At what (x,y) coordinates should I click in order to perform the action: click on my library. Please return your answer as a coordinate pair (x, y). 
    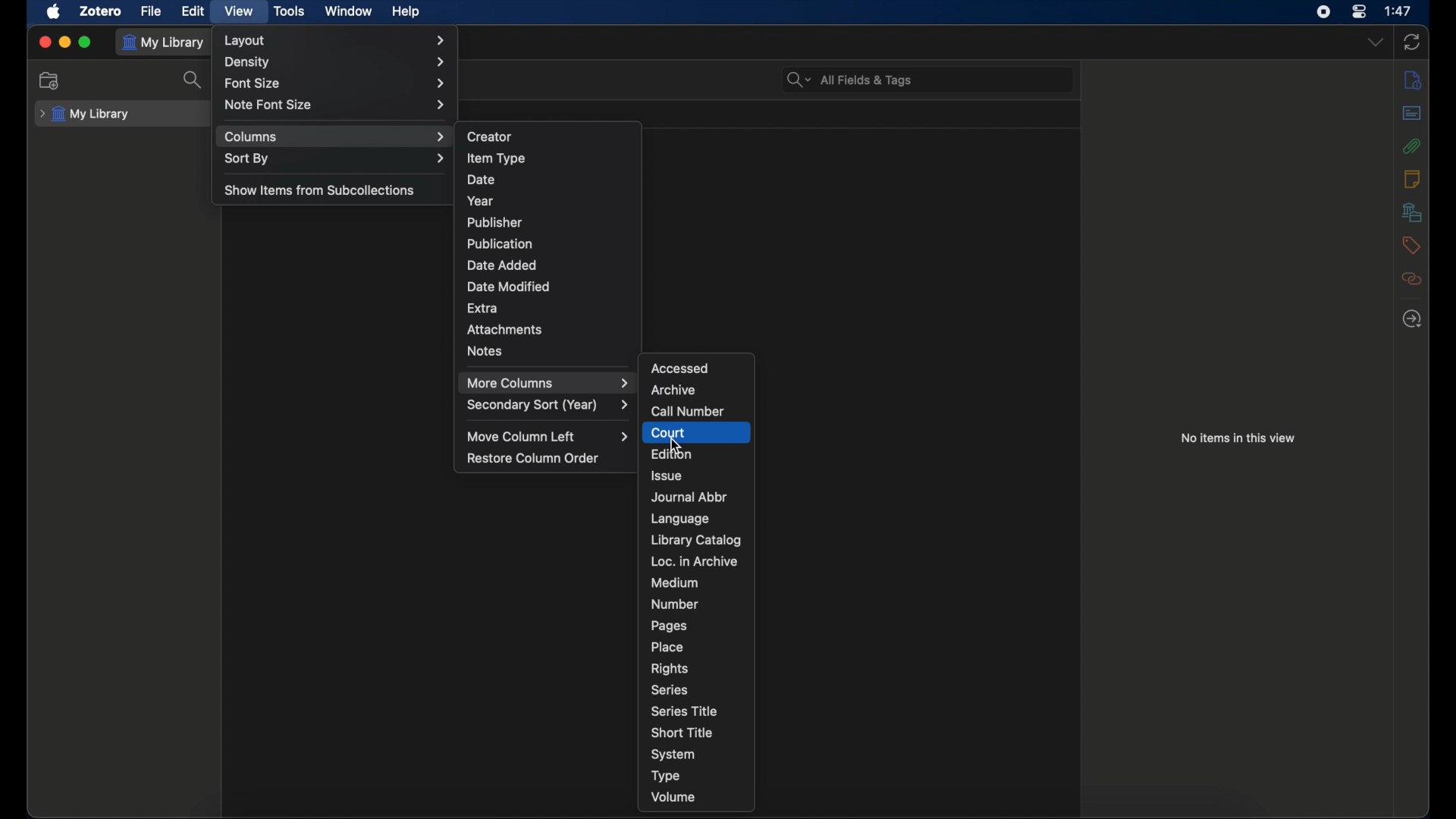
    Looking at the image, I should click on (163, 42).